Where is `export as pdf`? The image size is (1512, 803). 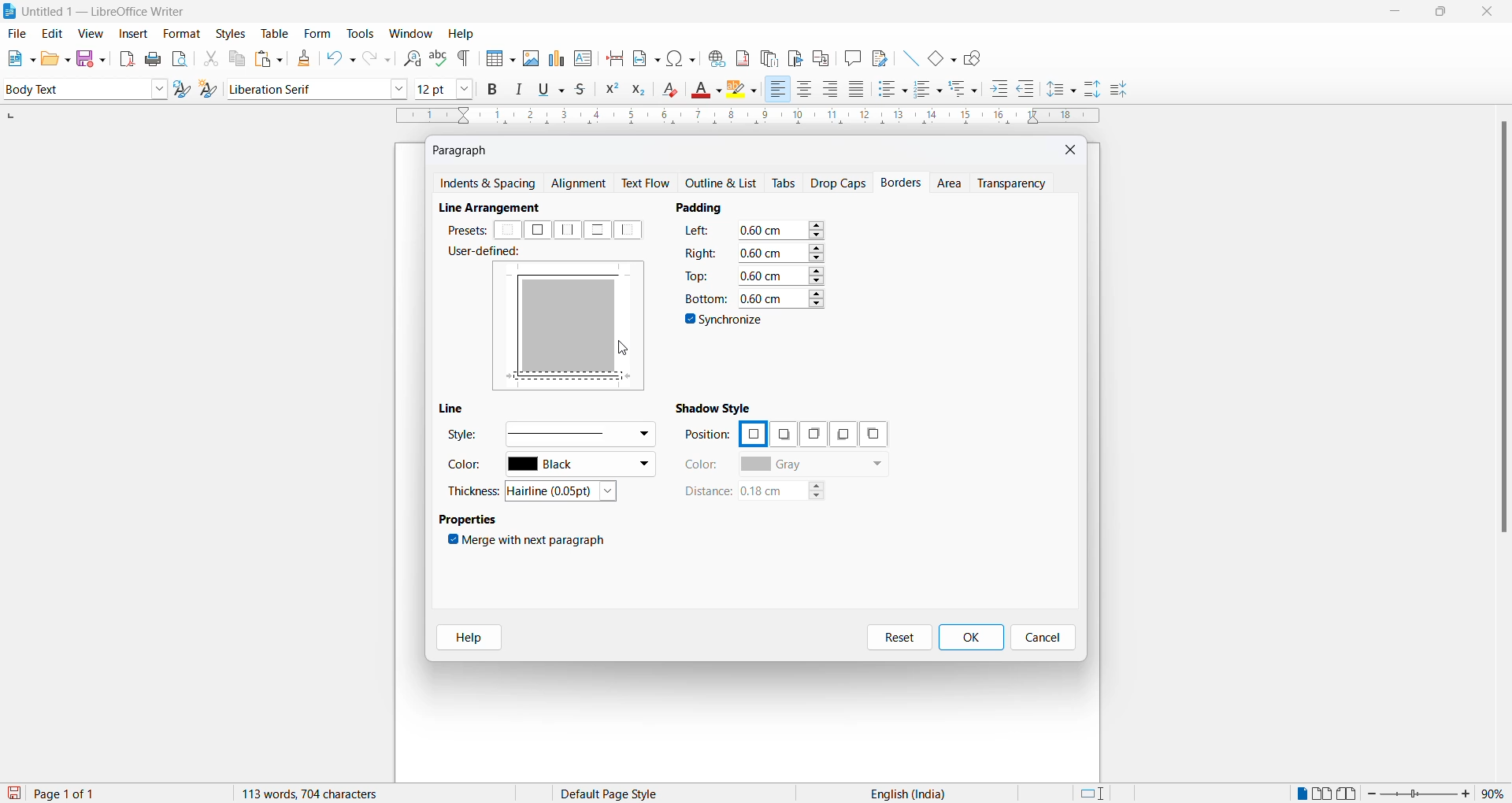
export as pdf is located at coordinates (128, 57).